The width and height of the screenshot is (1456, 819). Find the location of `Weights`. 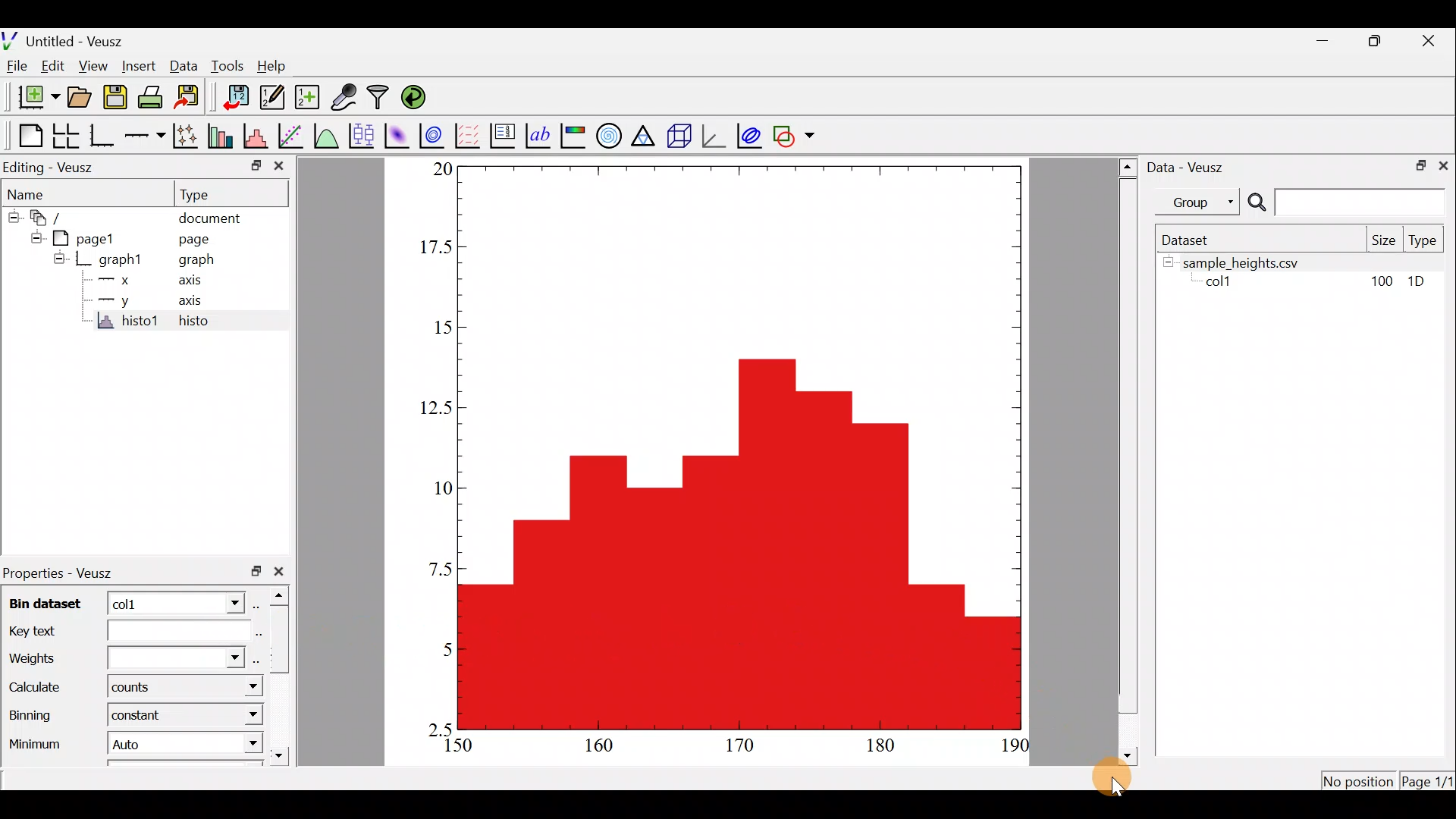

Weights is located at coordinates (123, 654).